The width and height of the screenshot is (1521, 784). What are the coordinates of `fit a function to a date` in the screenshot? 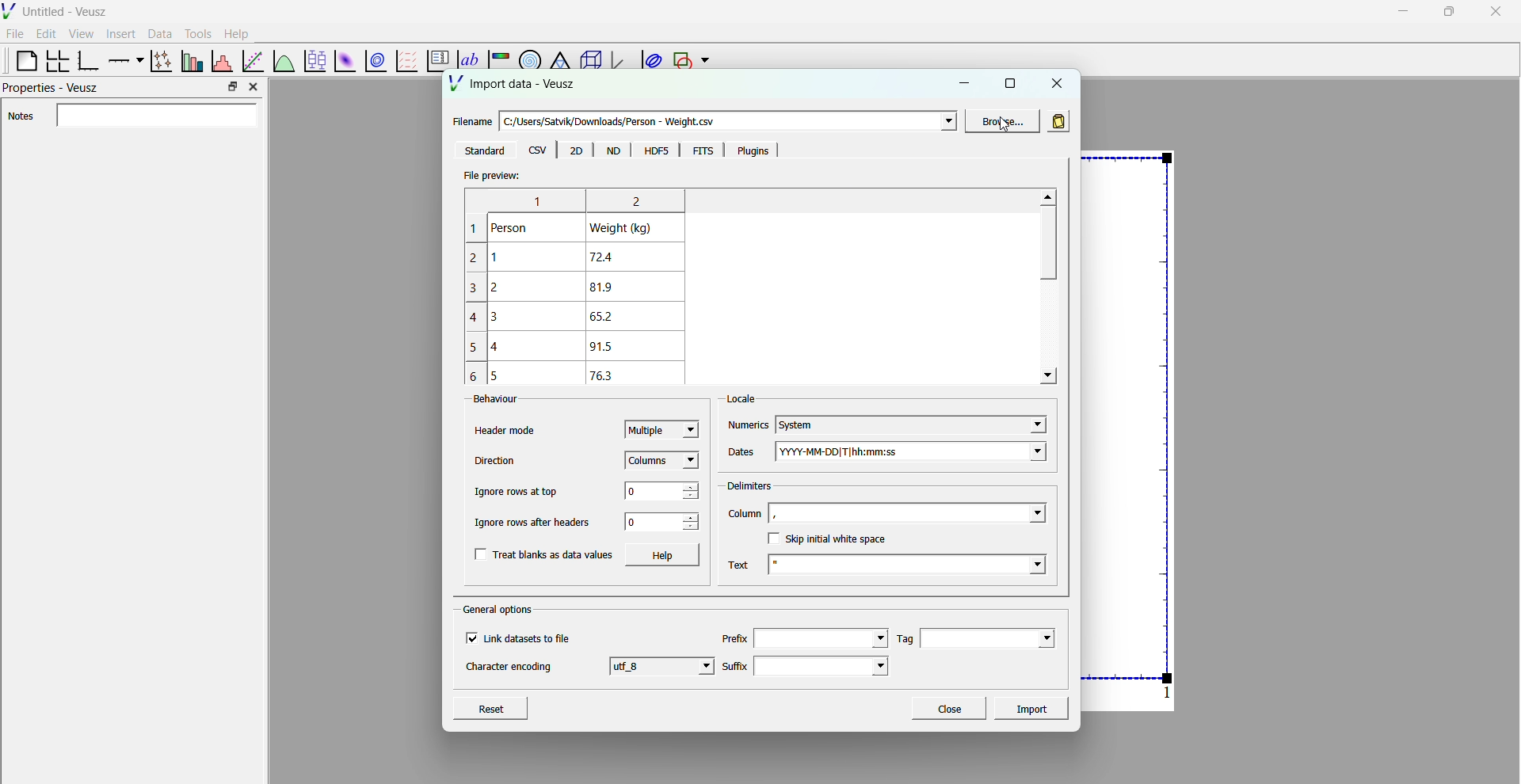 It's located at (253, 60).